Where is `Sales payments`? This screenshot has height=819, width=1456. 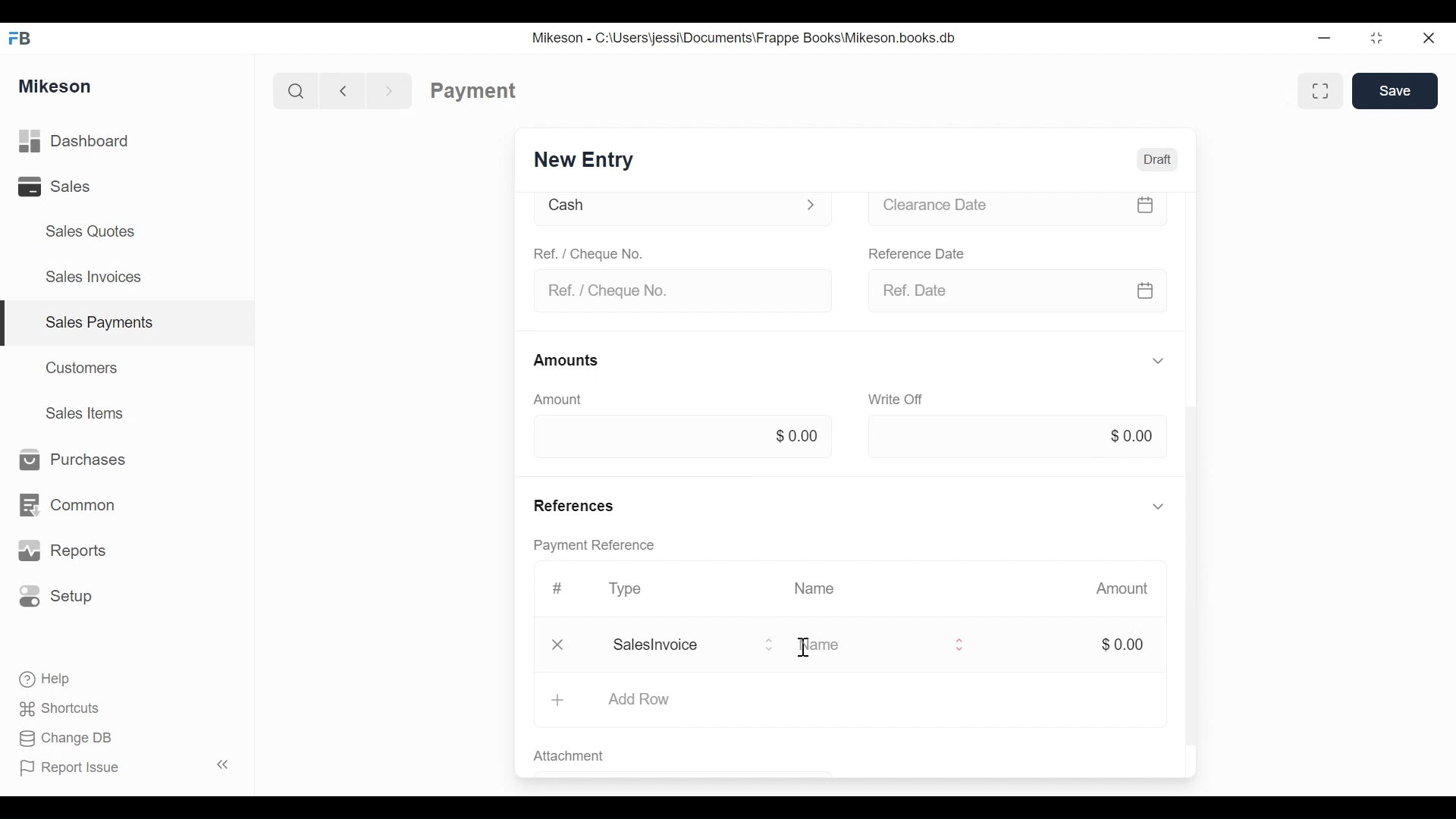 Sales payments is located at coordinates (102, 322).